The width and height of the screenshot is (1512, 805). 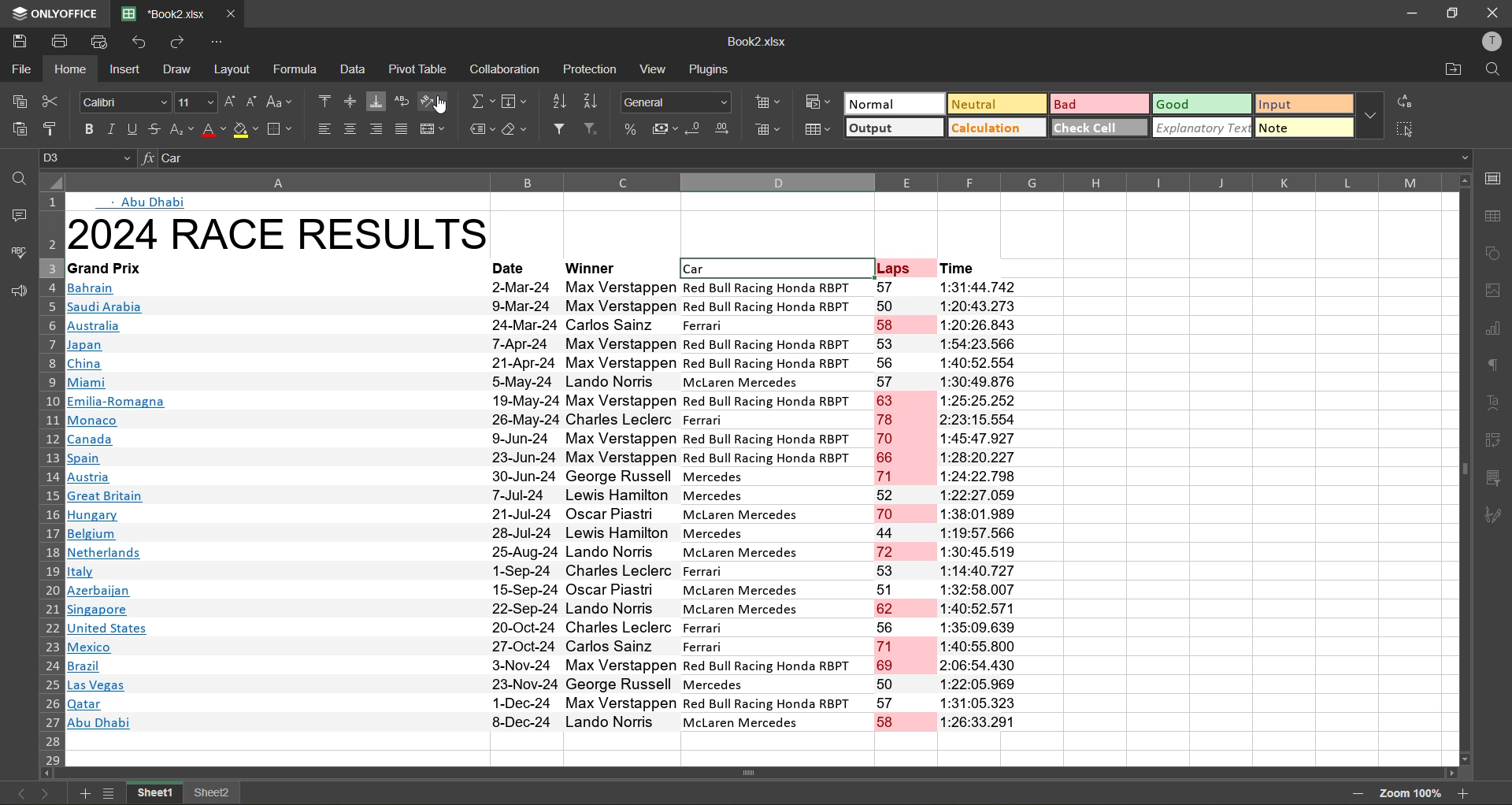 What do you see at coordinates (417, 71) in the screenshot?
I see `pivot table` at bounding box center [417, 71].